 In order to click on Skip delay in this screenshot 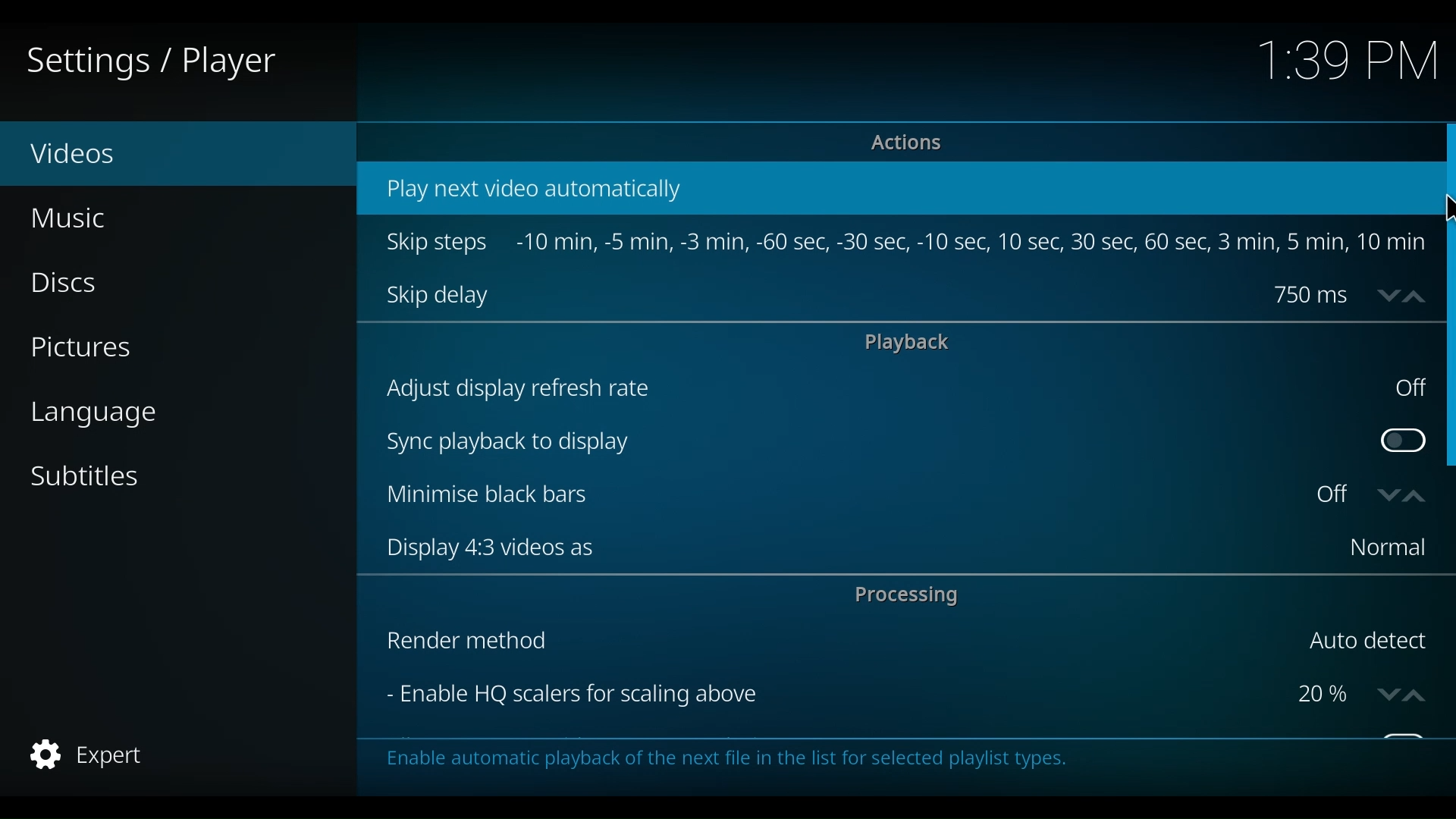, I will do `click(438, 297)`.